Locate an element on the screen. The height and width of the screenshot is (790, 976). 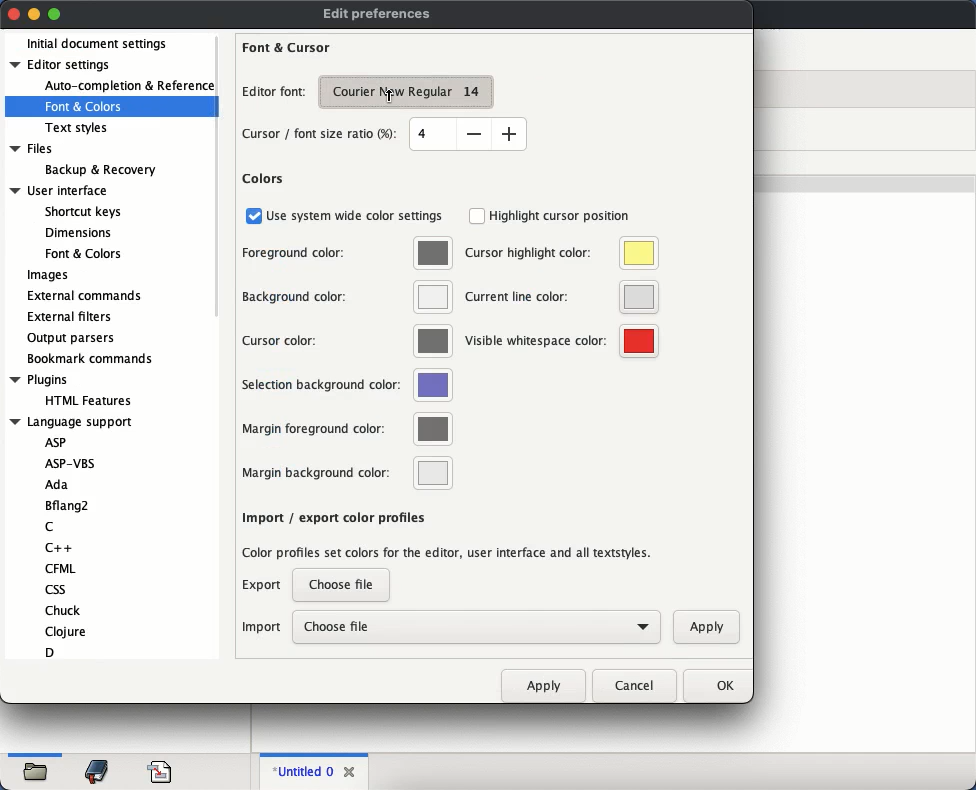
courier new regular is located at coordinates (406, 93).